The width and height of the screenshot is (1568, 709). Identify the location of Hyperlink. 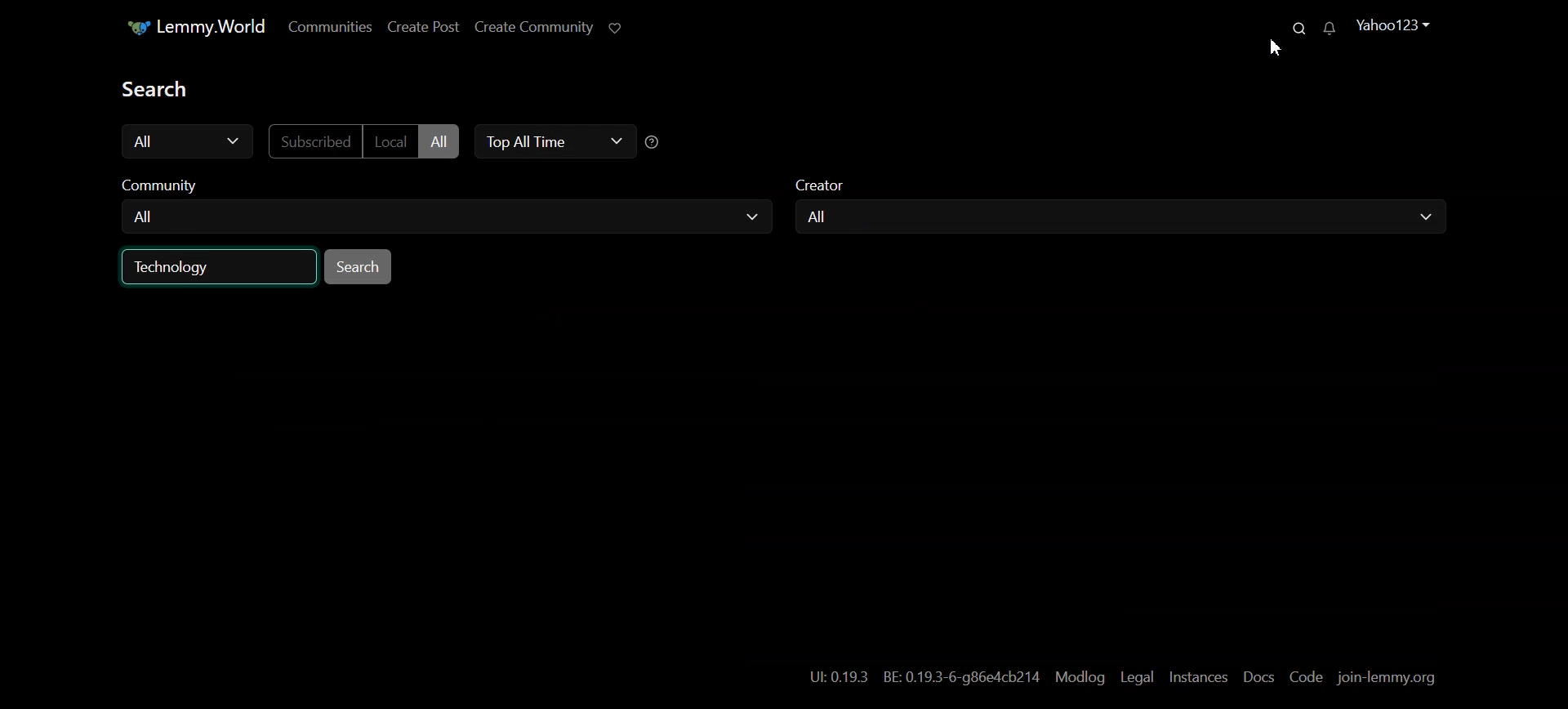
(920, 676).